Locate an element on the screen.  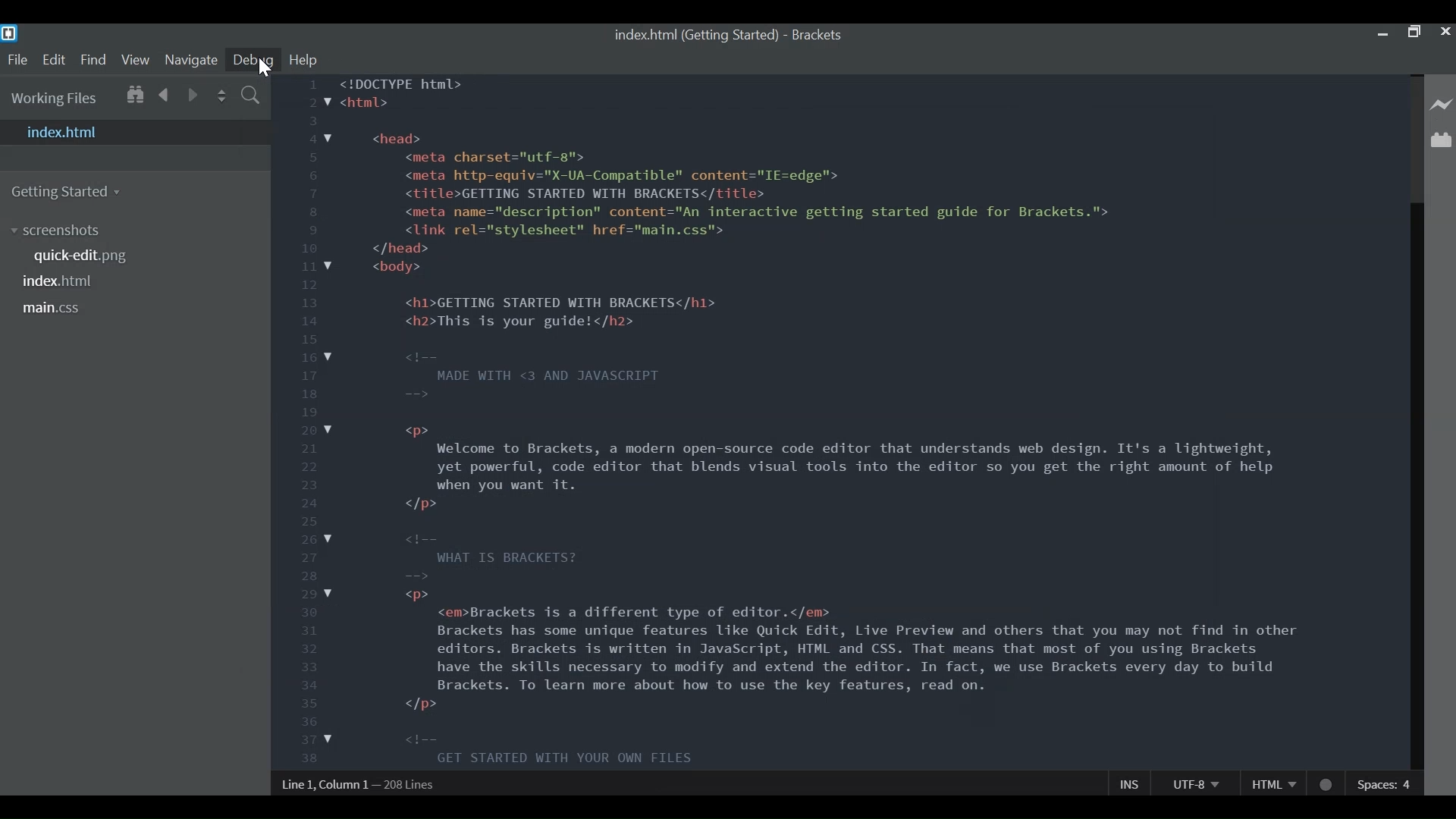
Show in File tree is located at coordinates (135, 96).